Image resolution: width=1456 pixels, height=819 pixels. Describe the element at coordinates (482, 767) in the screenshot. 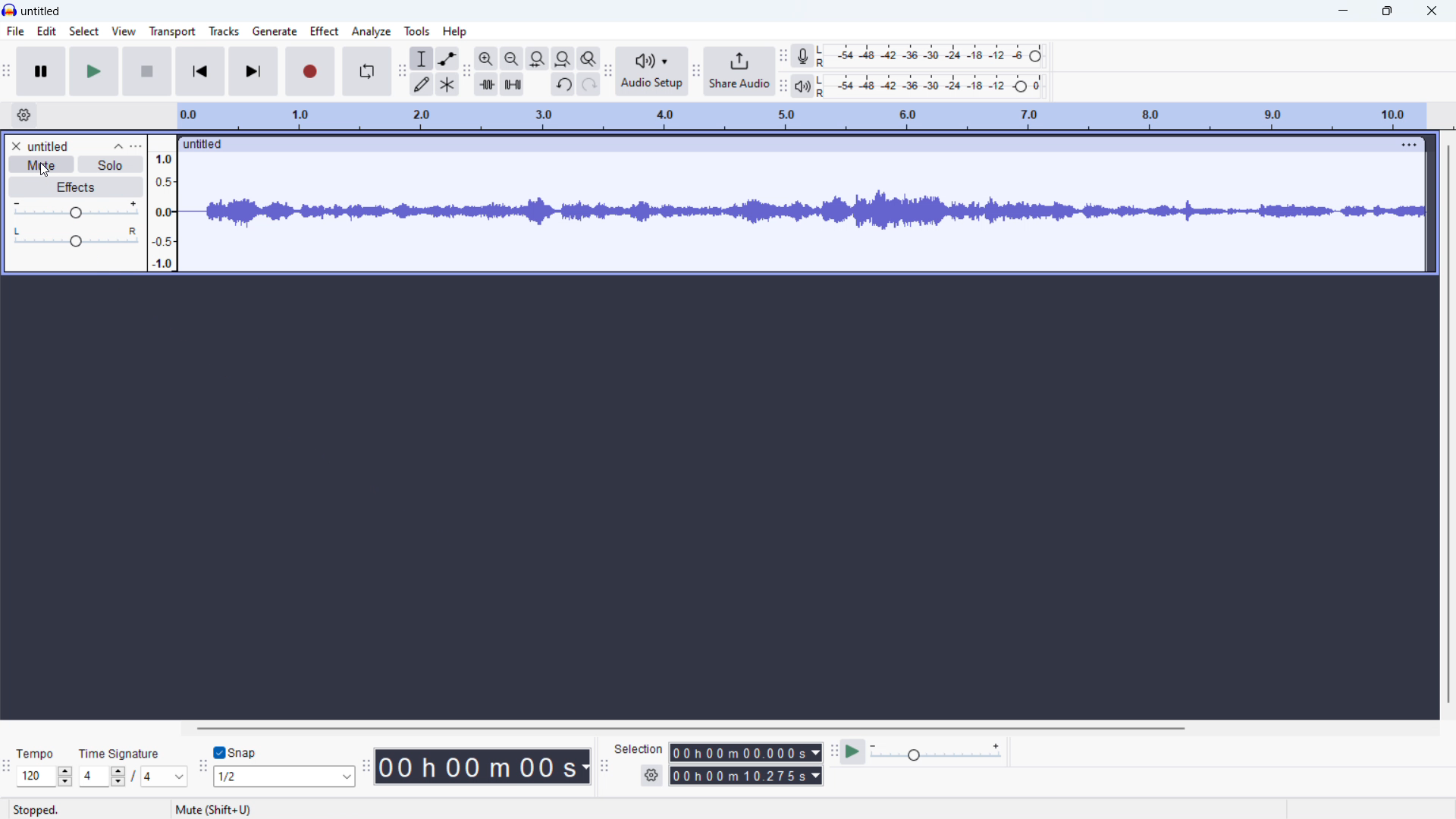

I see `timestamp` at that location.